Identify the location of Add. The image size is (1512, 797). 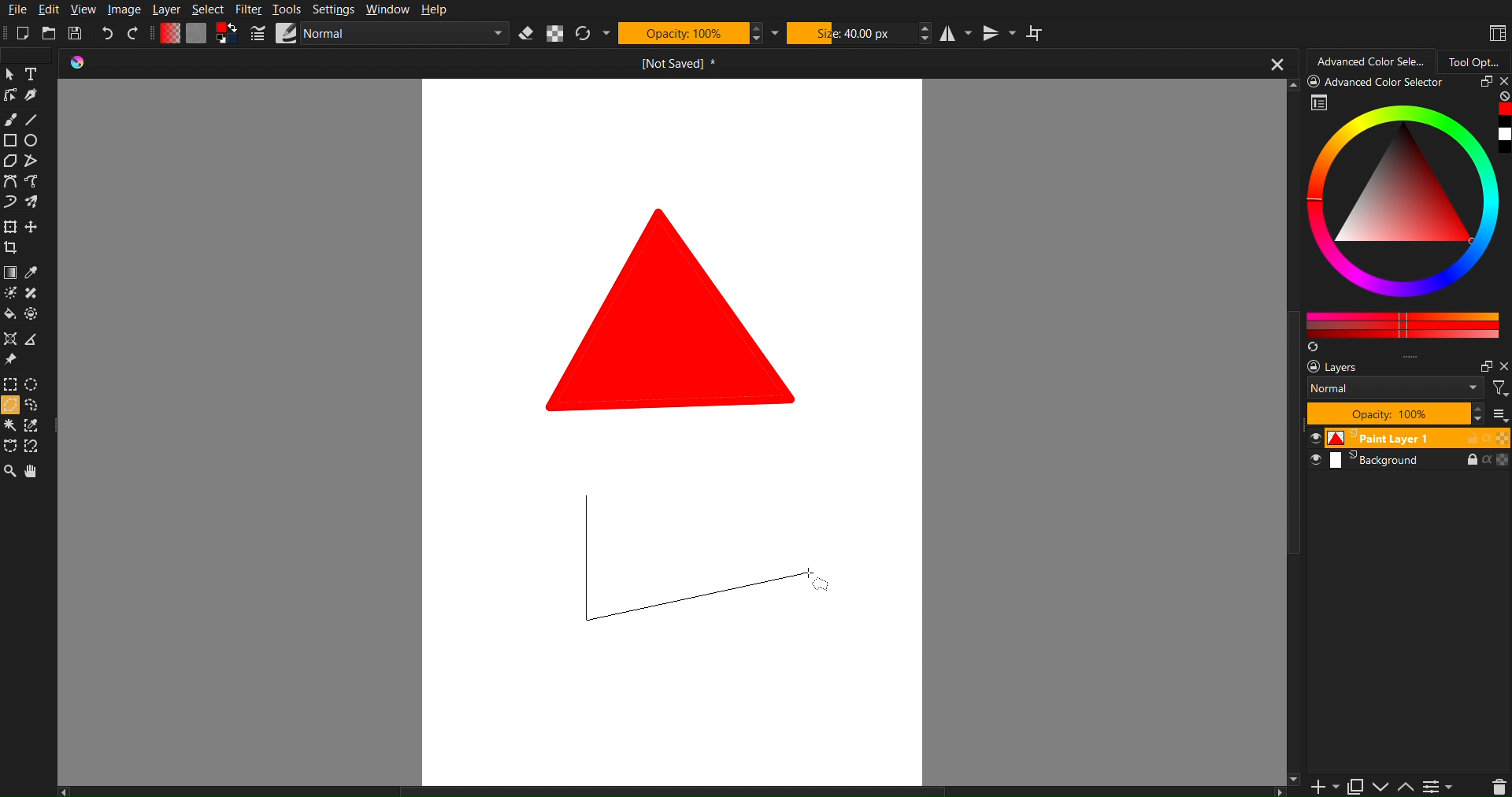
(1320, 787).